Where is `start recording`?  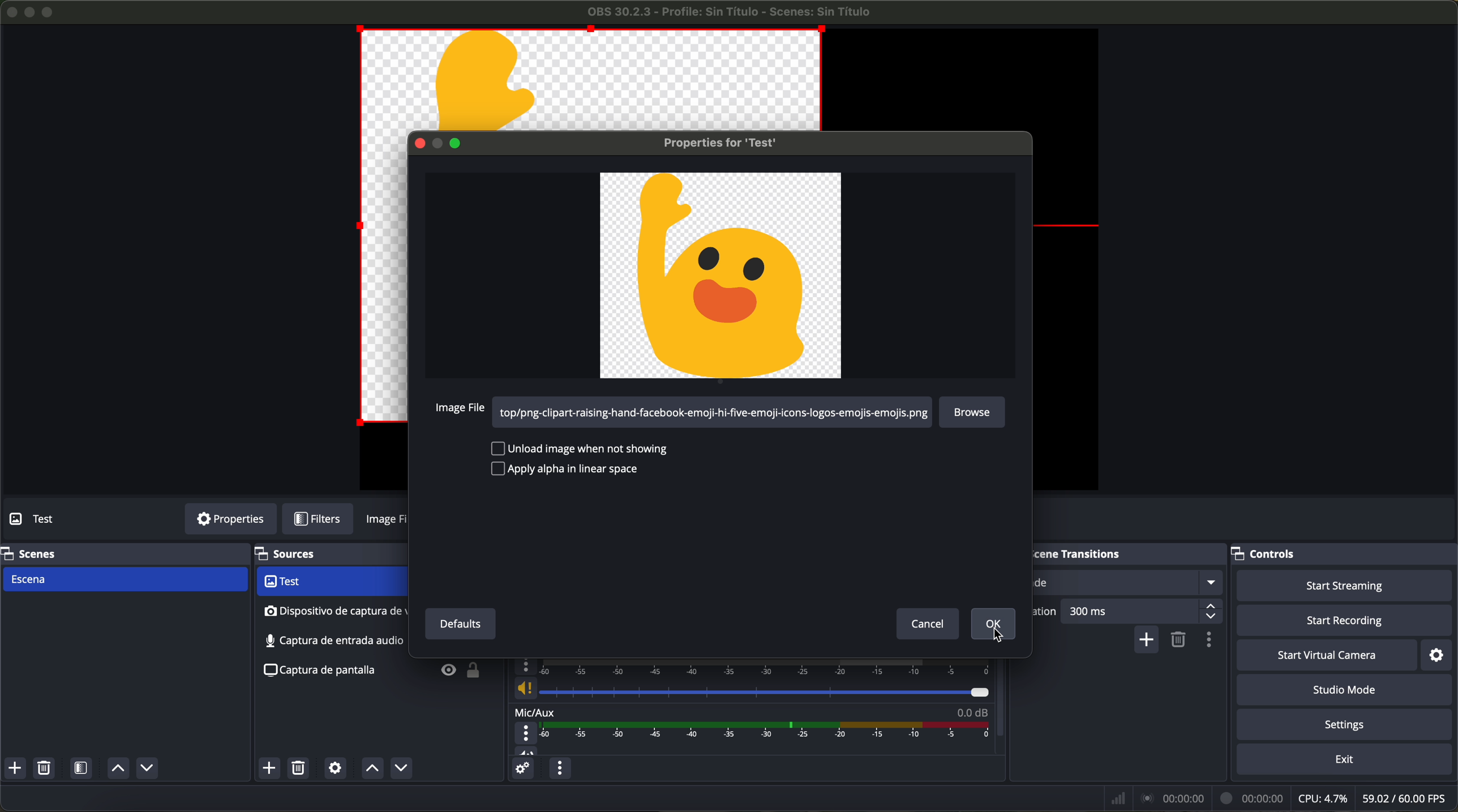 start recording is located at coordinates (1346, 621).